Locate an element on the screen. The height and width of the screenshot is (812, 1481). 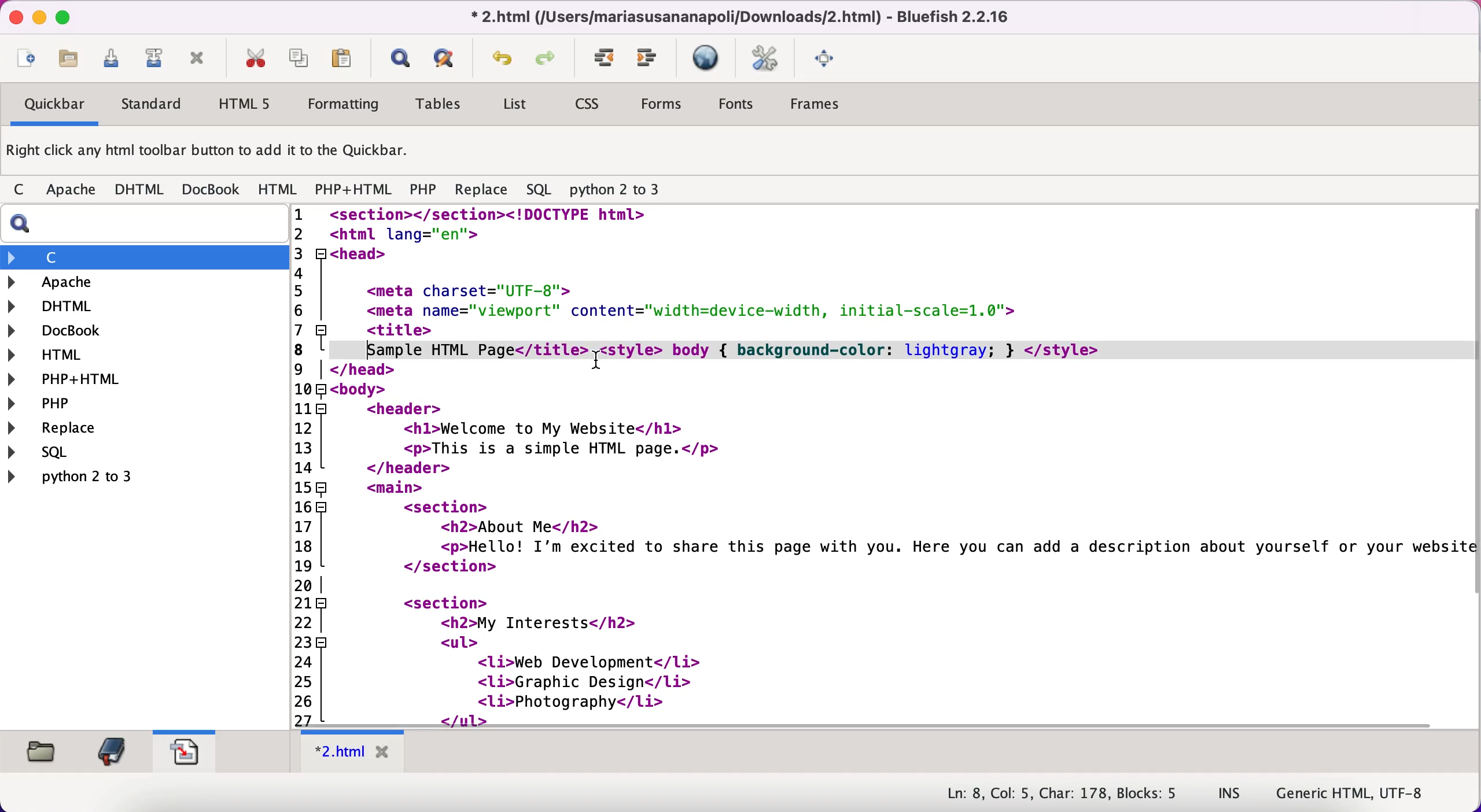
snippets is located at coordinates (184, 749).